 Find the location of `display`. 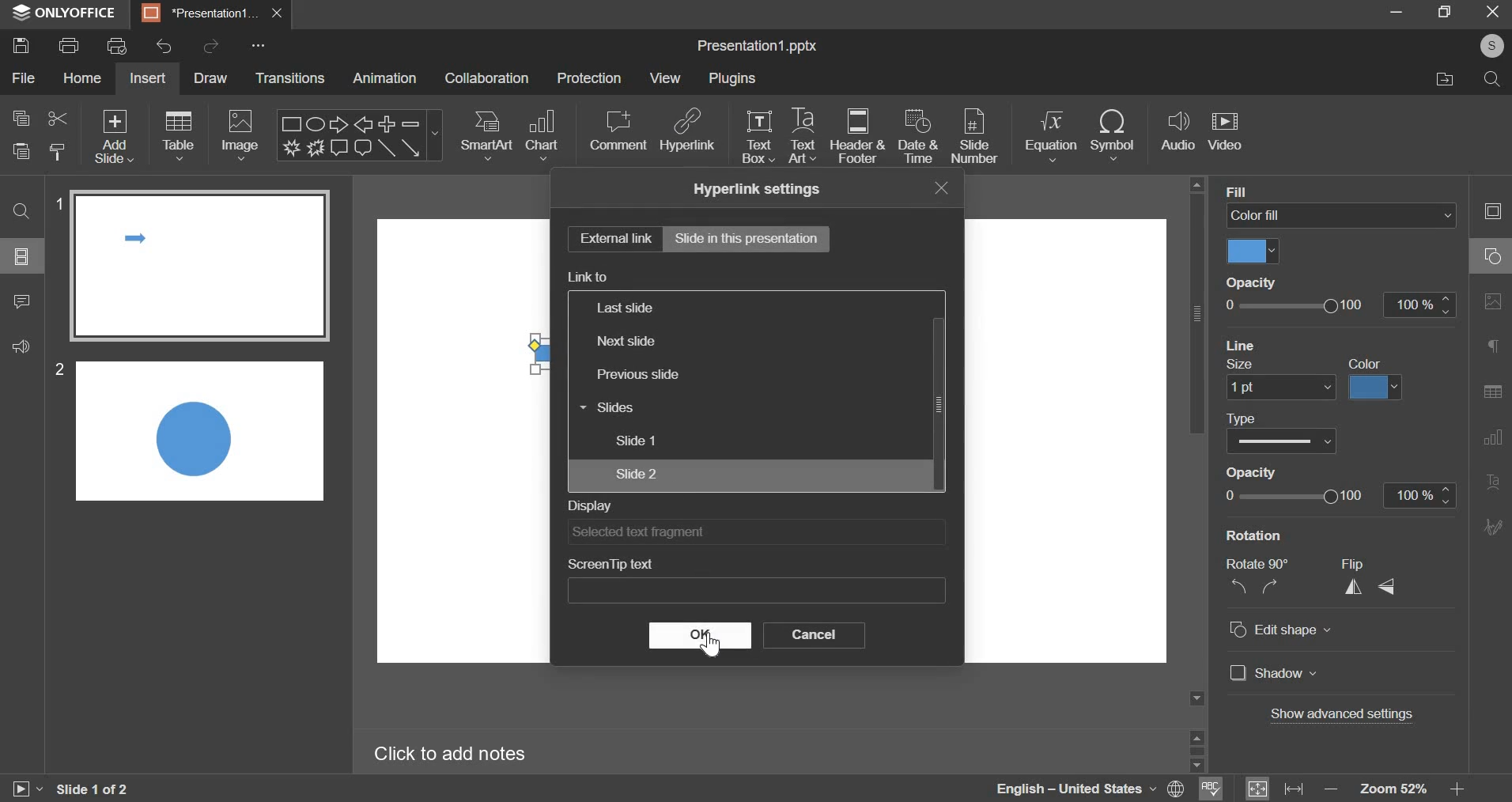

display is located at coordinates (588, 505).